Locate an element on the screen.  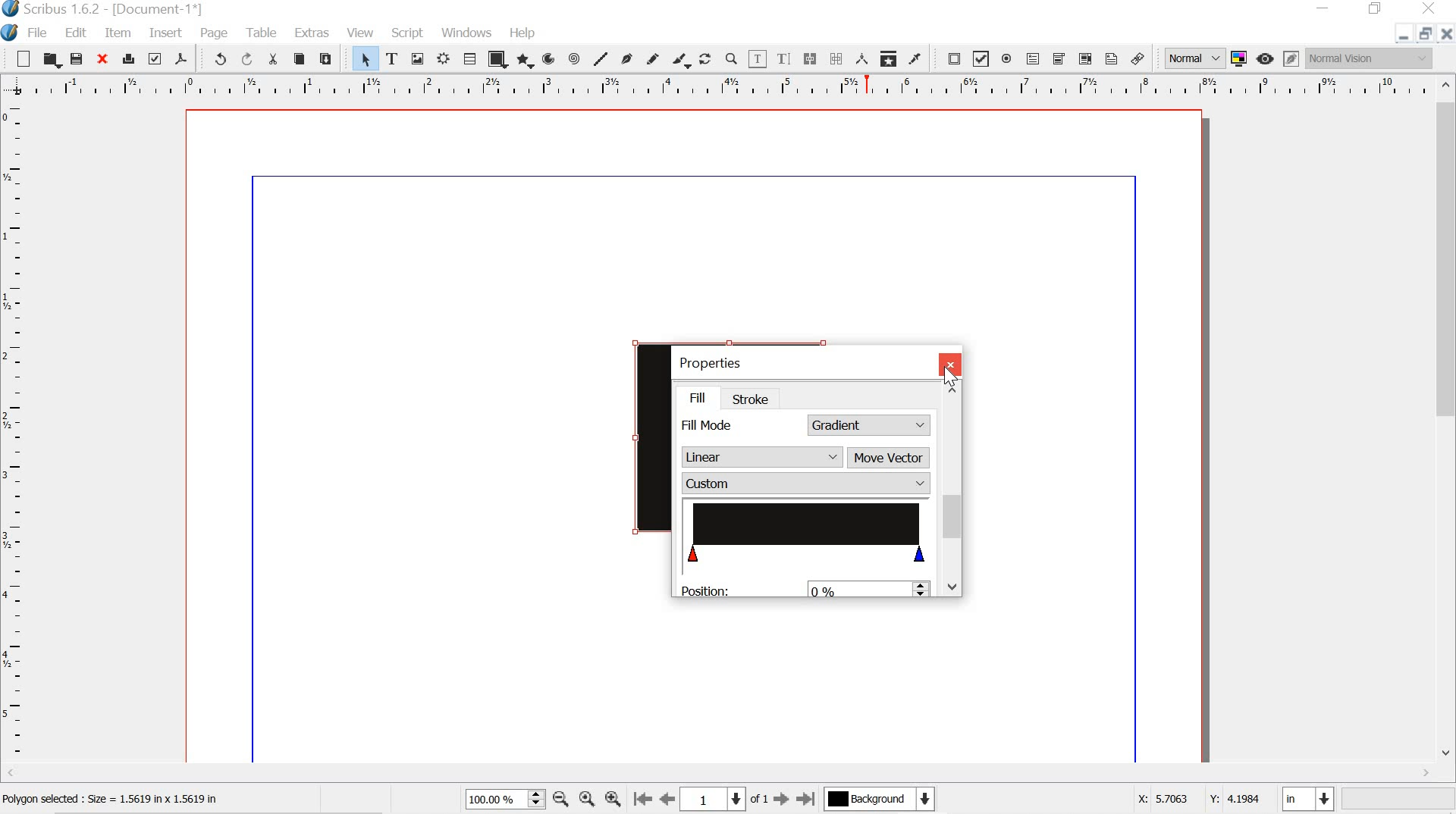
close is located at coordinates (105, 60).